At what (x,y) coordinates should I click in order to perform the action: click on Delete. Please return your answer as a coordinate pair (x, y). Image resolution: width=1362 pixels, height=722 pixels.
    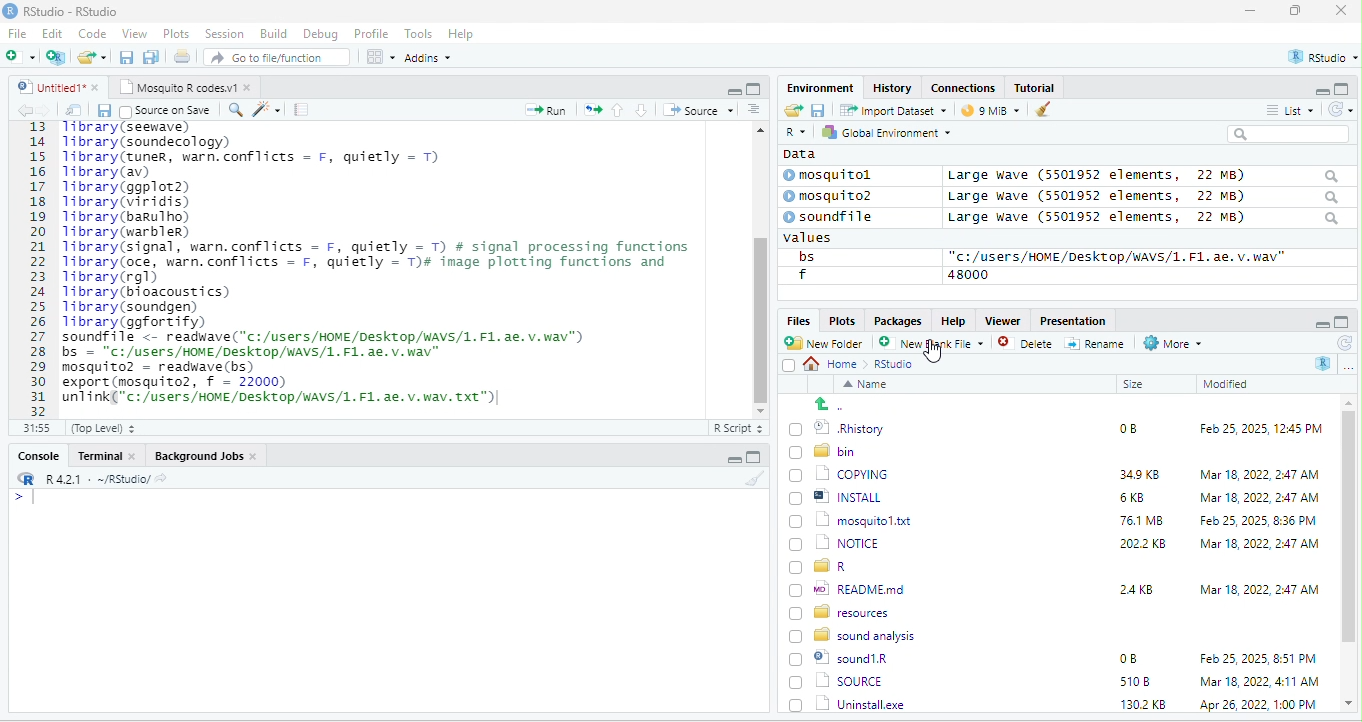
    Looking at the image, I should click on (1028, 344).